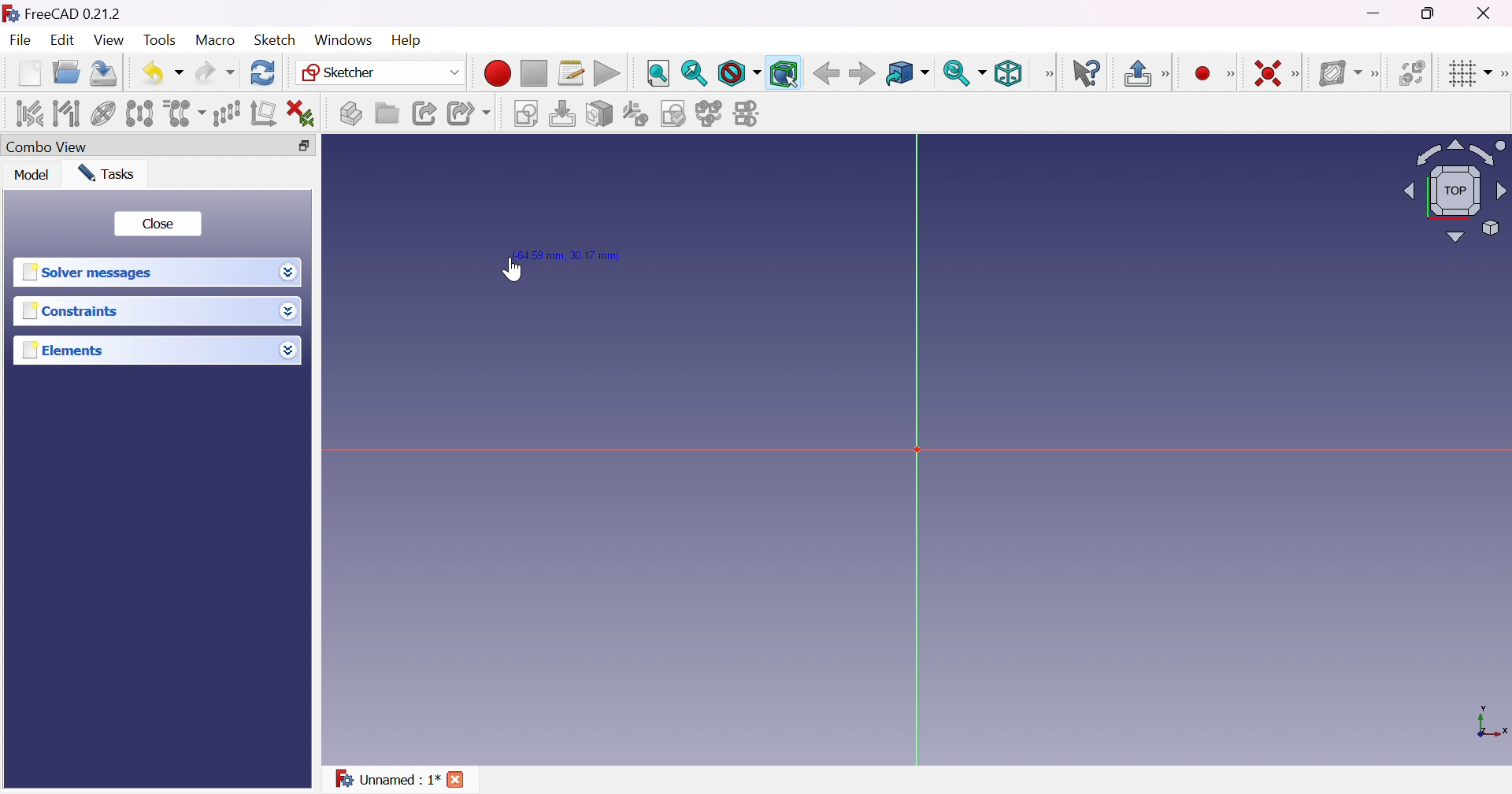  Describe the element at coordinates (1374, 13) in the screenshot. I see `Minimize` at that location.